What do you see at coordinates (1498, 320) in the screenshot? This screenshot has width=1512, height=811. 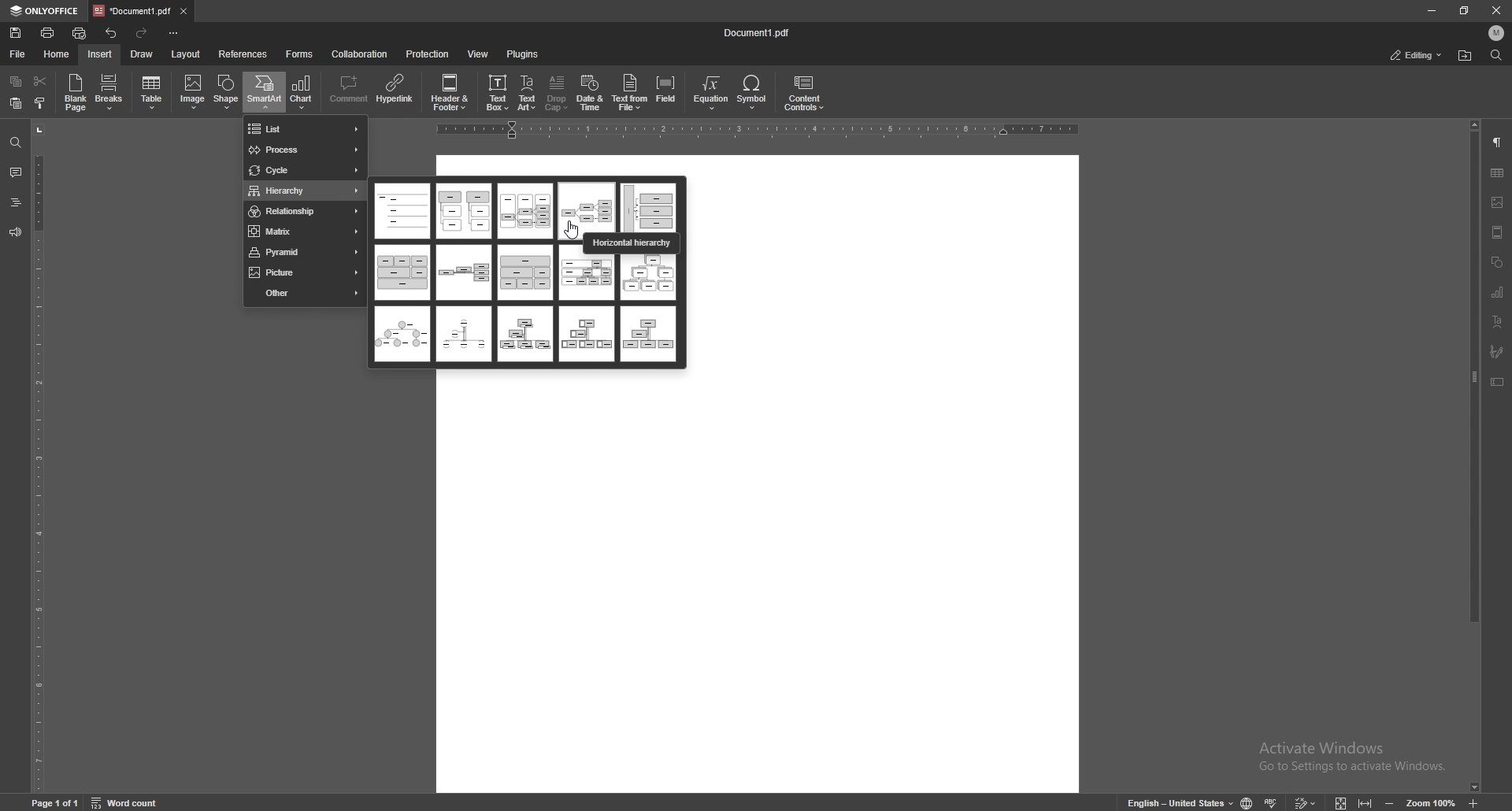 I see `text art` at bounding box center [1498, 320].